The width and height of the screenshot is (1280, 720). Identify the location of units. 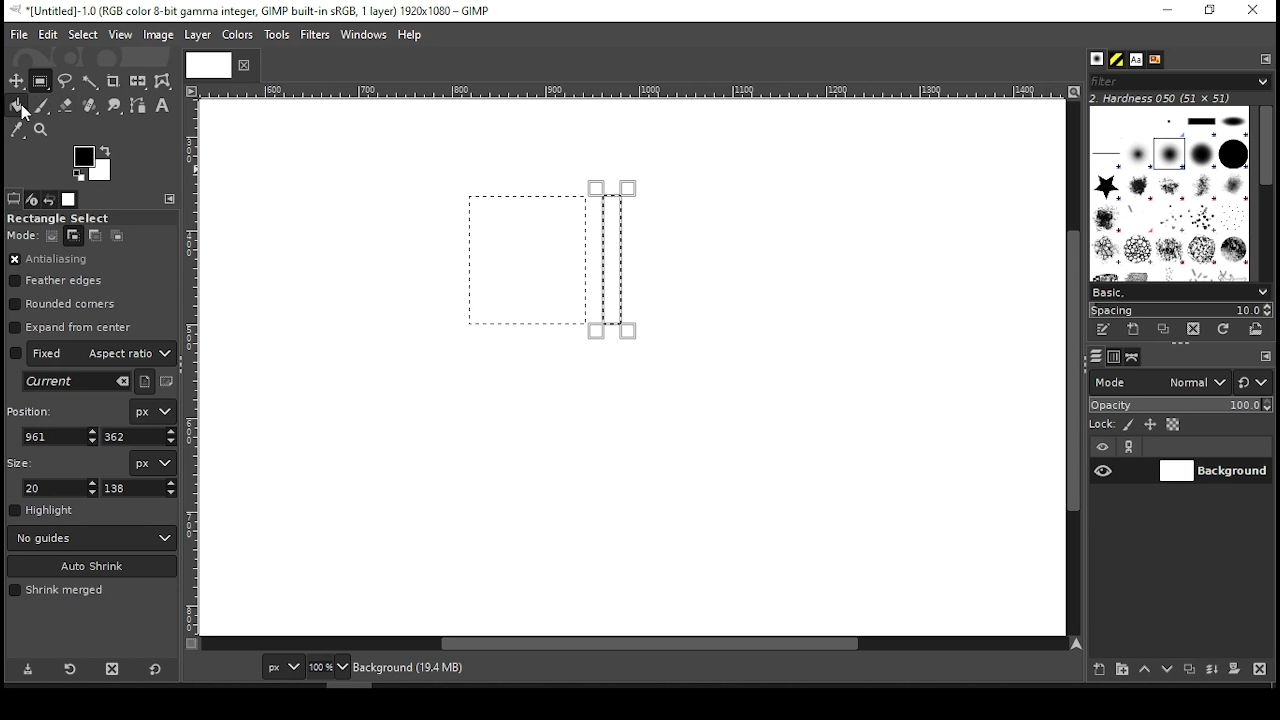
(152, 463).